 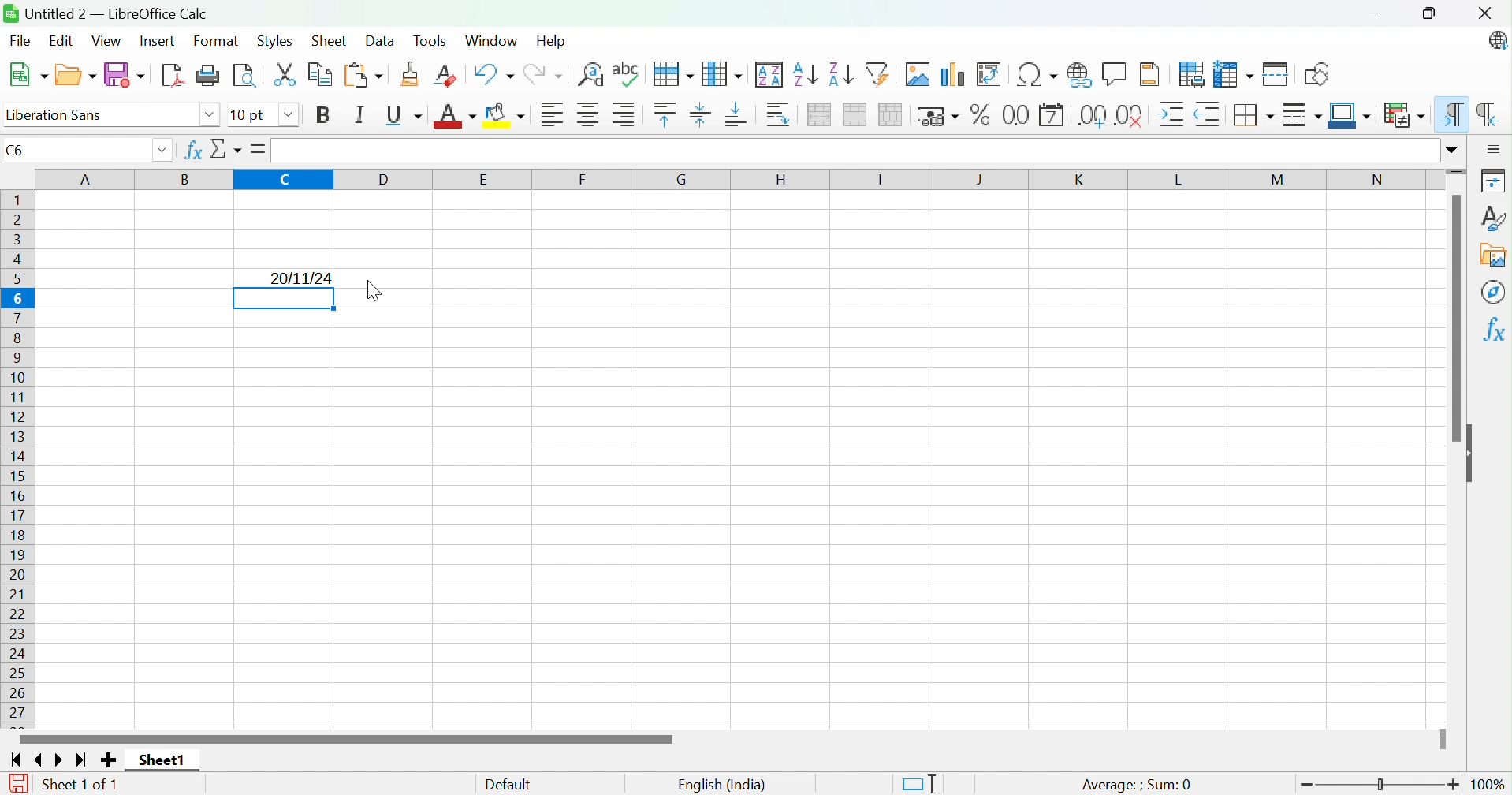 I want to click on Sort, so click(x=770, y=75).